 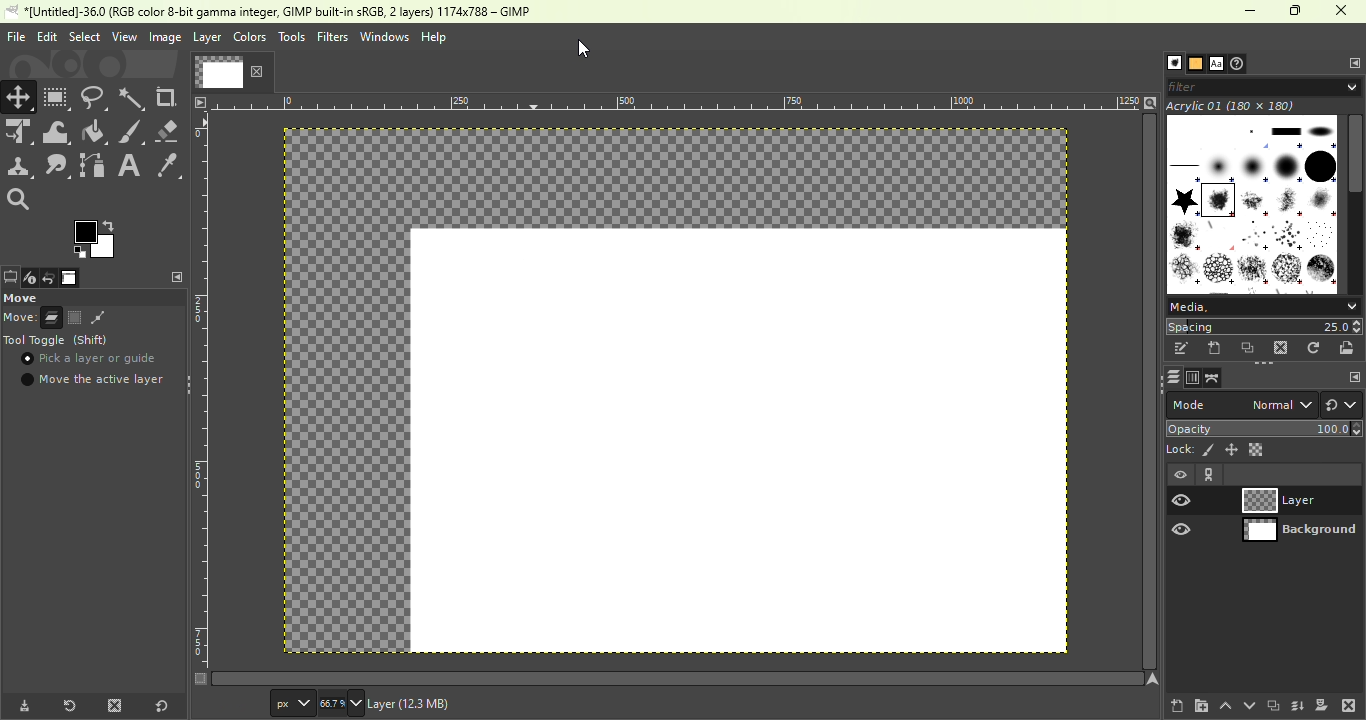 I want to click on canvas, so click(x=739, y=441).